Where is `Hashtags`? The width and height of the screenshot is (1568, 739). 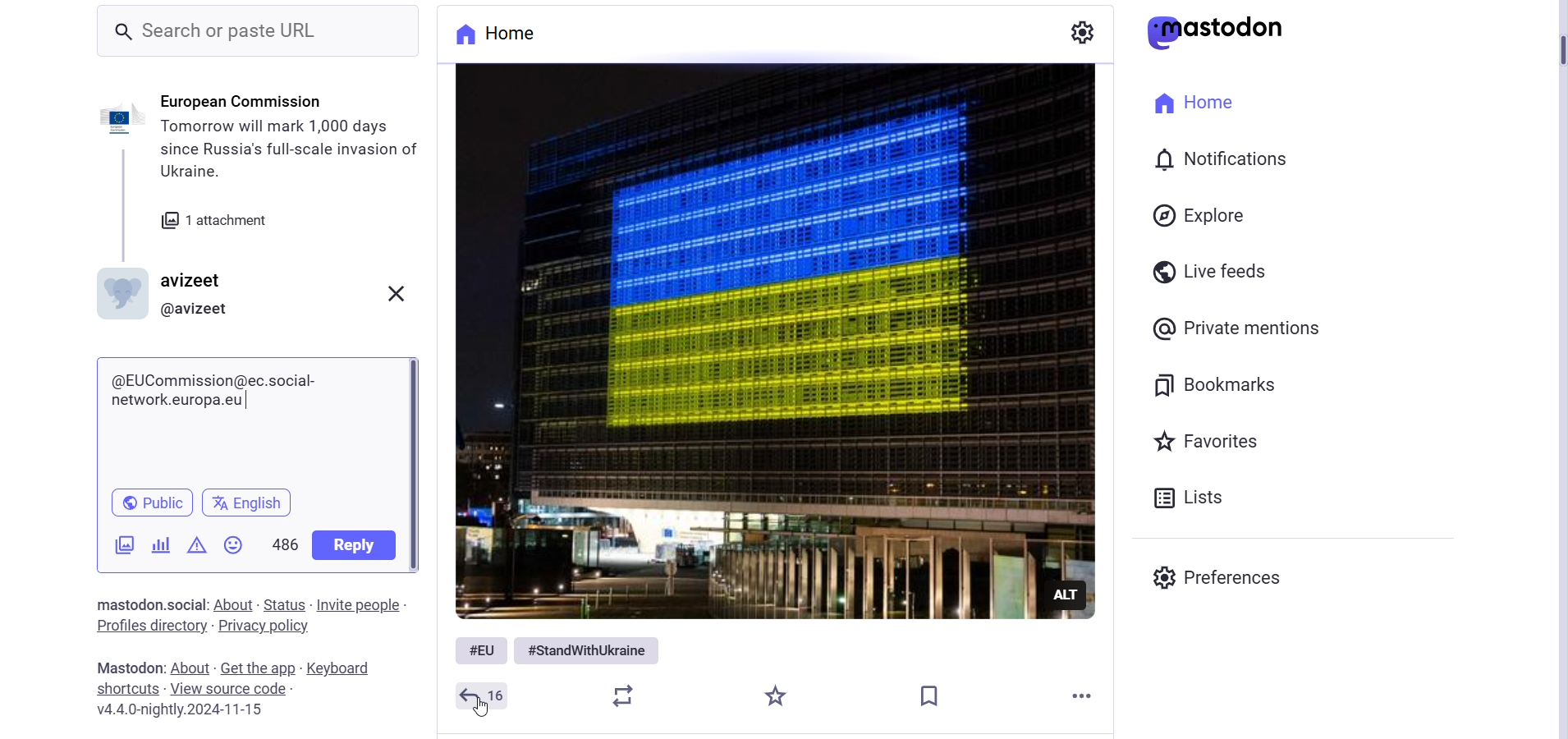 Hashtags is located at coordinates (559, 649).